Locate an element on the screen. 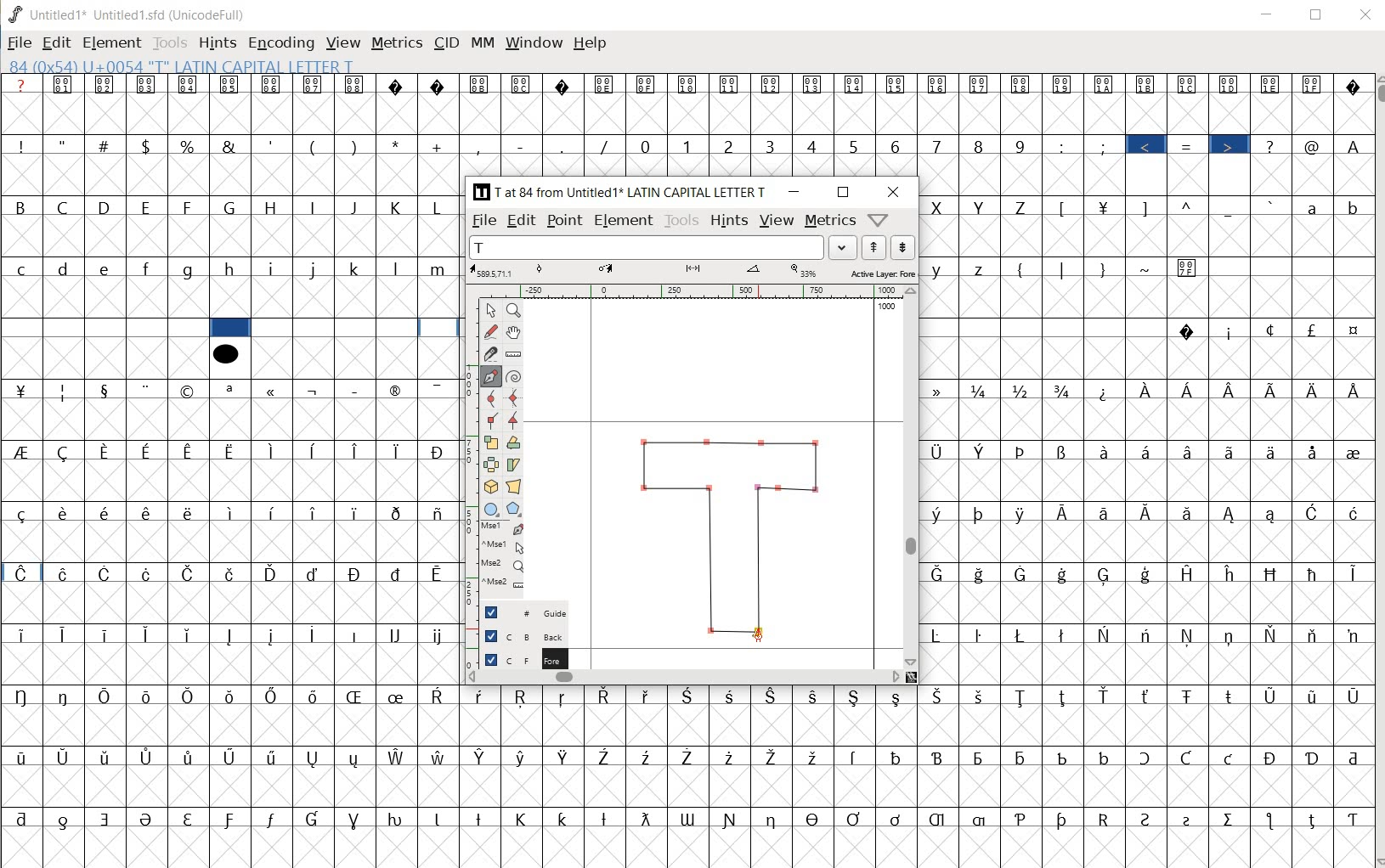  Symbol is located at coordinates (441, 86).